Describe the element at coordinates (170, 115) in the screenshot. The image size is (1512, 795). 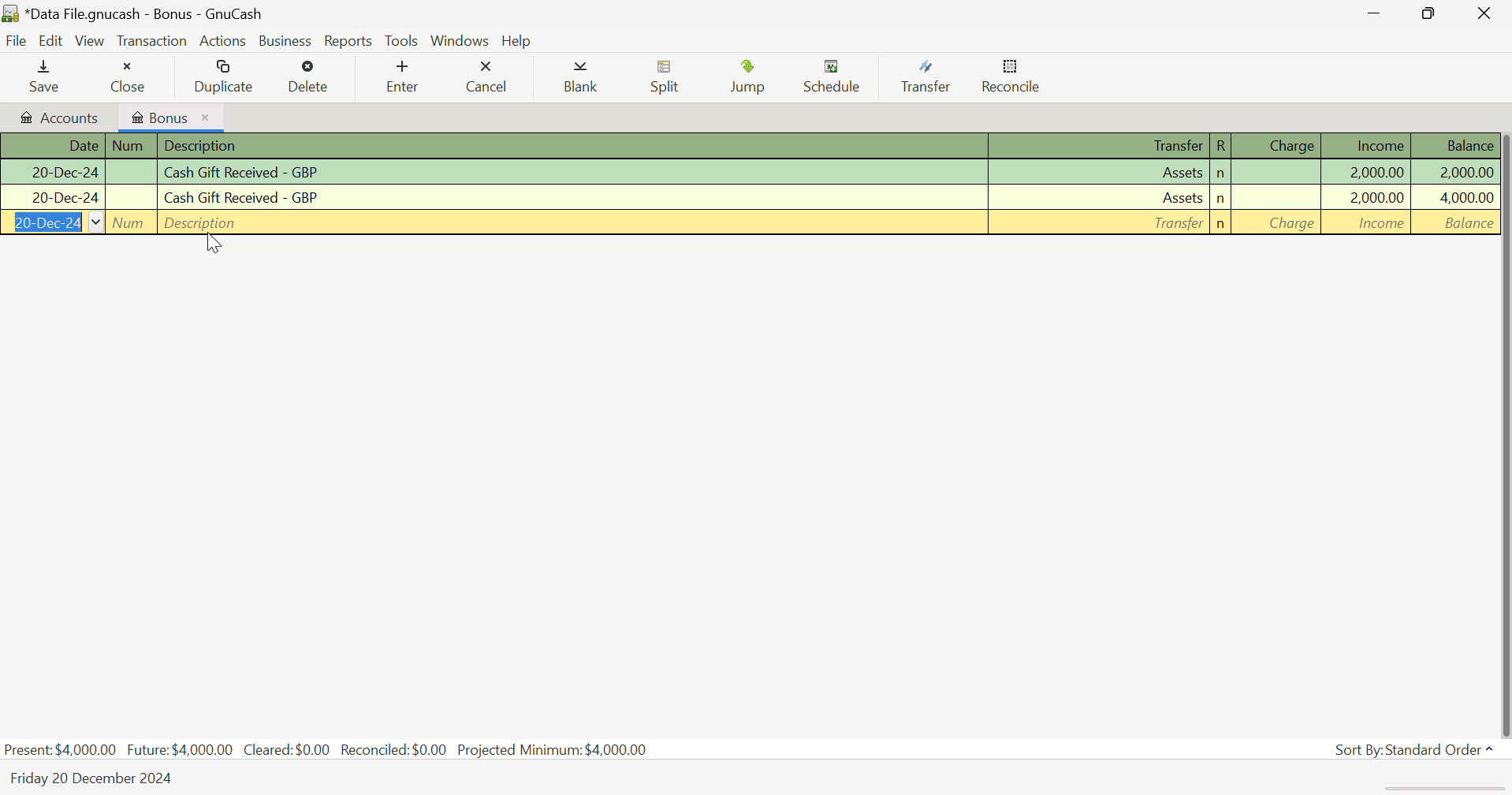
I see `Bonus Tab` at that location.